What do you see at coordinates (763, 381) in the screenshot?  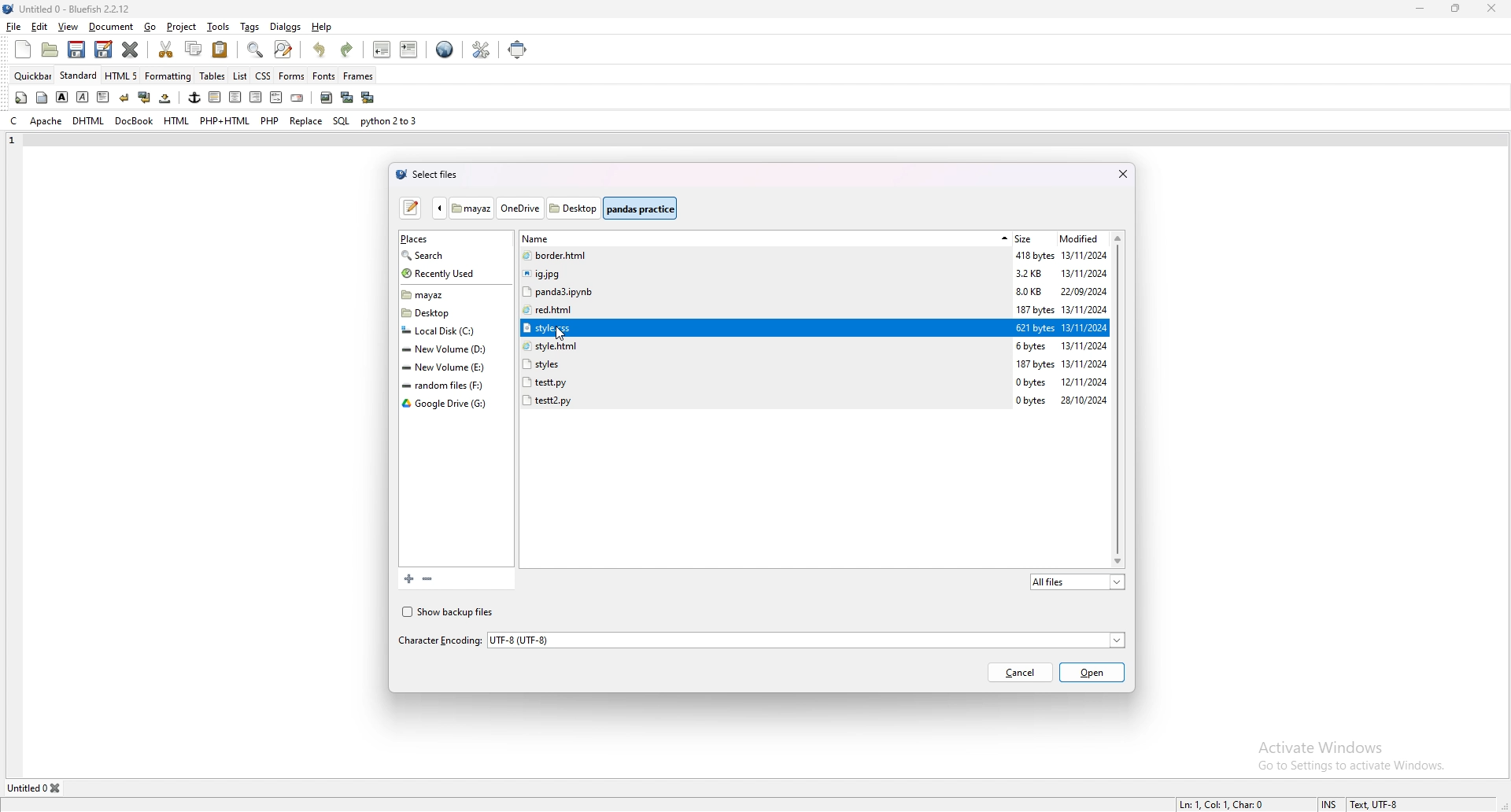 I see `file` at bounding box center [763, 381].